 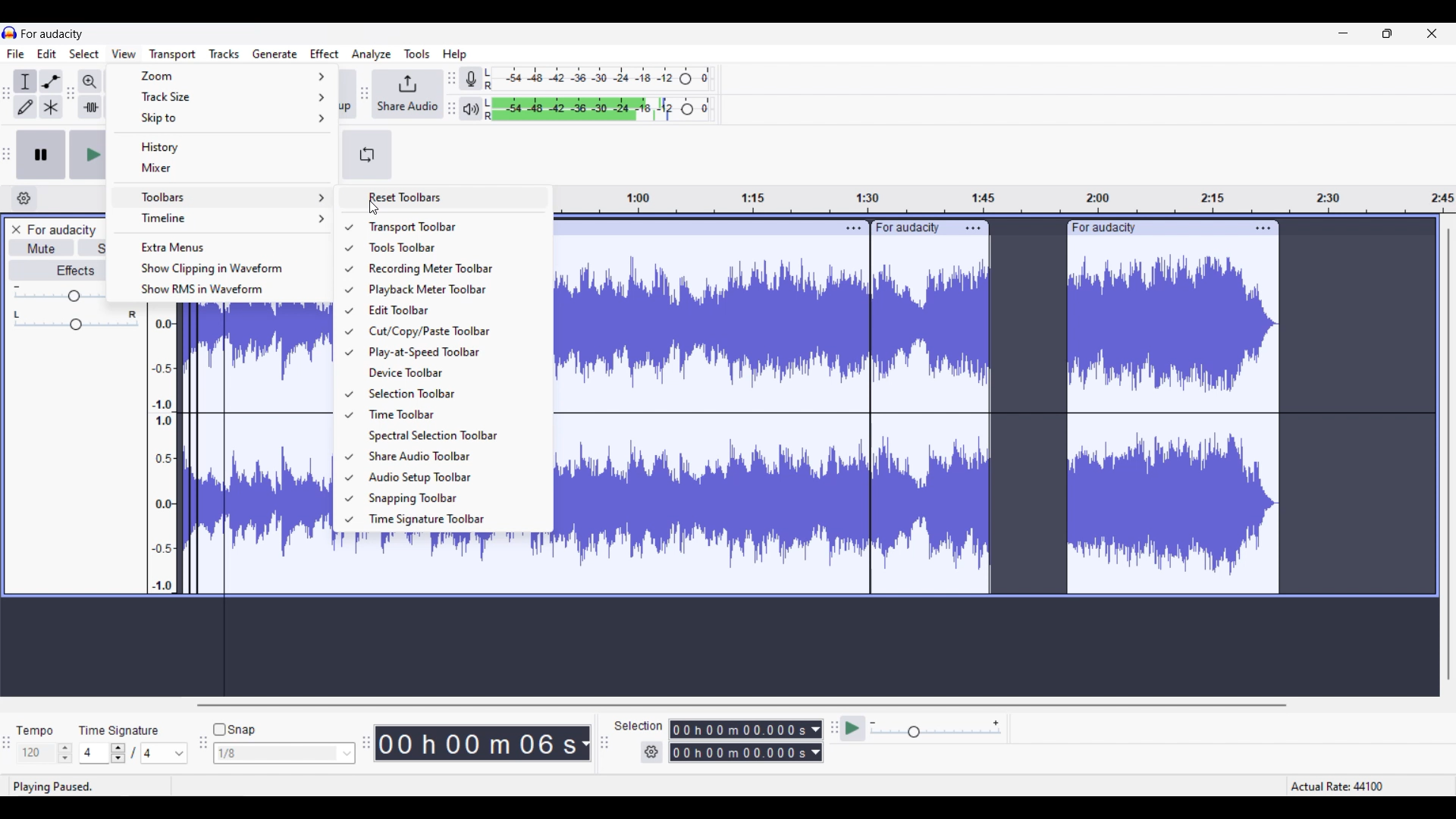 What do you see at coordinates (61, 230) in the screenshot?
I see `For audacity` at bounding box center [61, 230].